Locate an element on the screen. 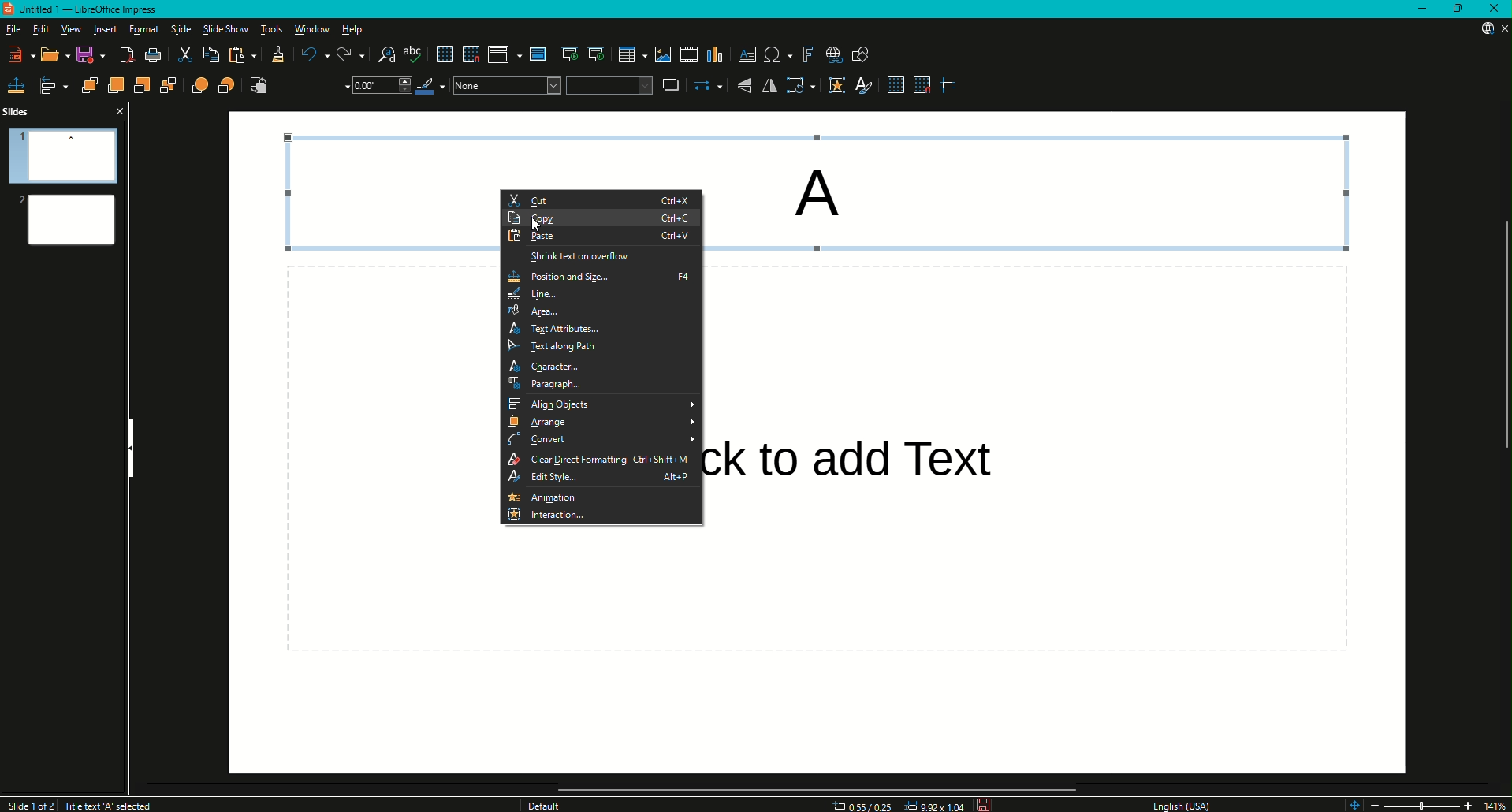  Master slide is located at coordinates (541, 54).